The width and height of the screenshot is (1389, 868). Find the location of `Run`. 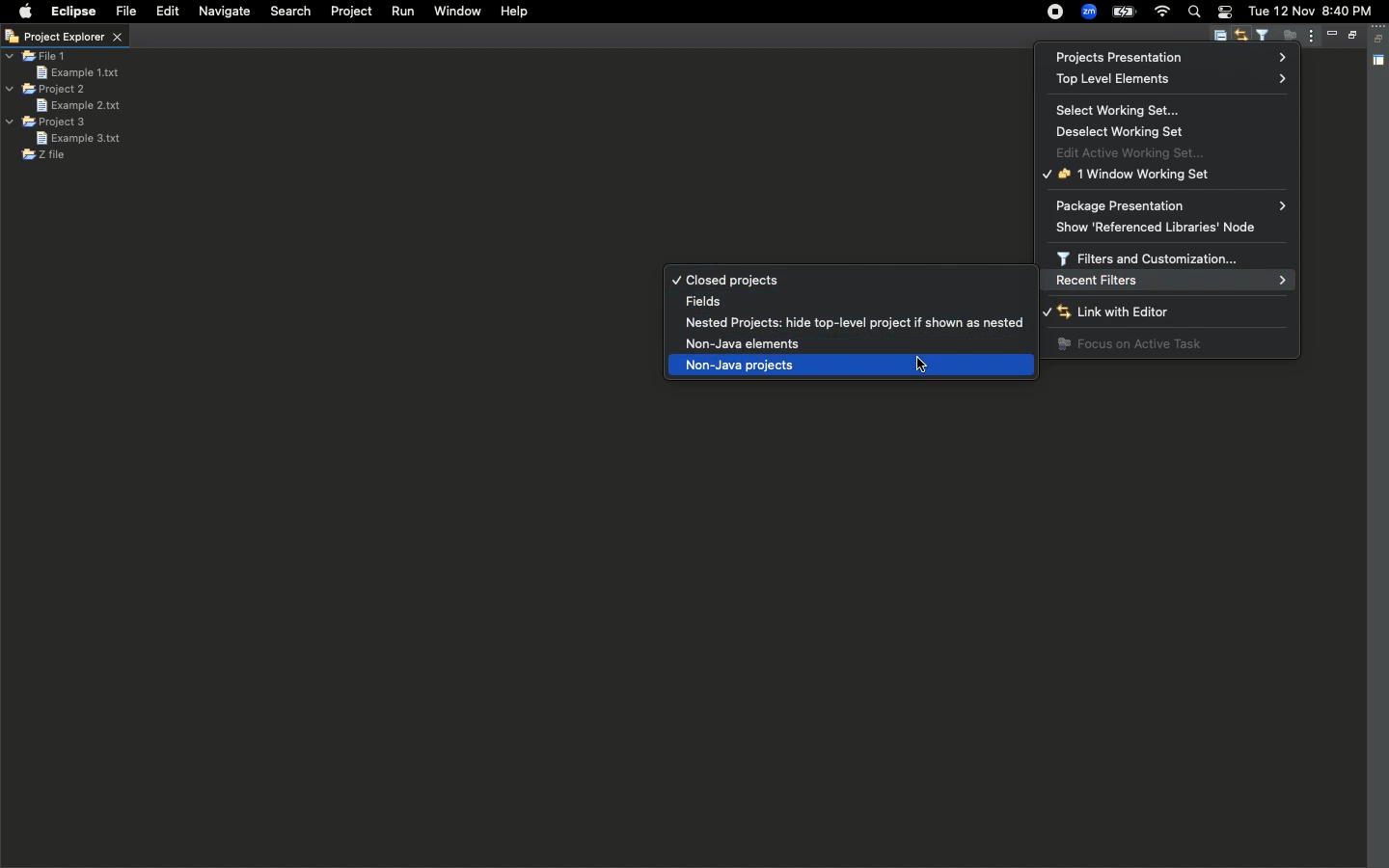

Run is located at coordinates (402, 12).